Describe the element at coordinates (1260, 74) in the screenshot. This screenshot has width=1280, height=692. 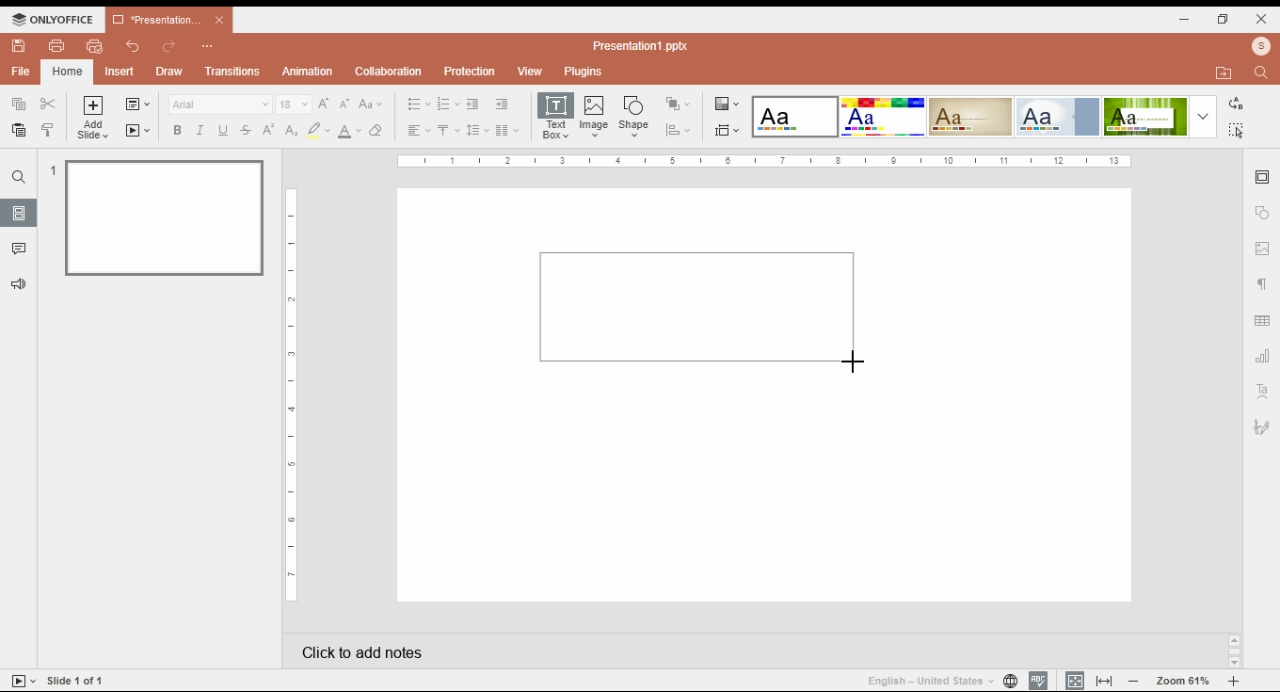
I see `find` at that location.